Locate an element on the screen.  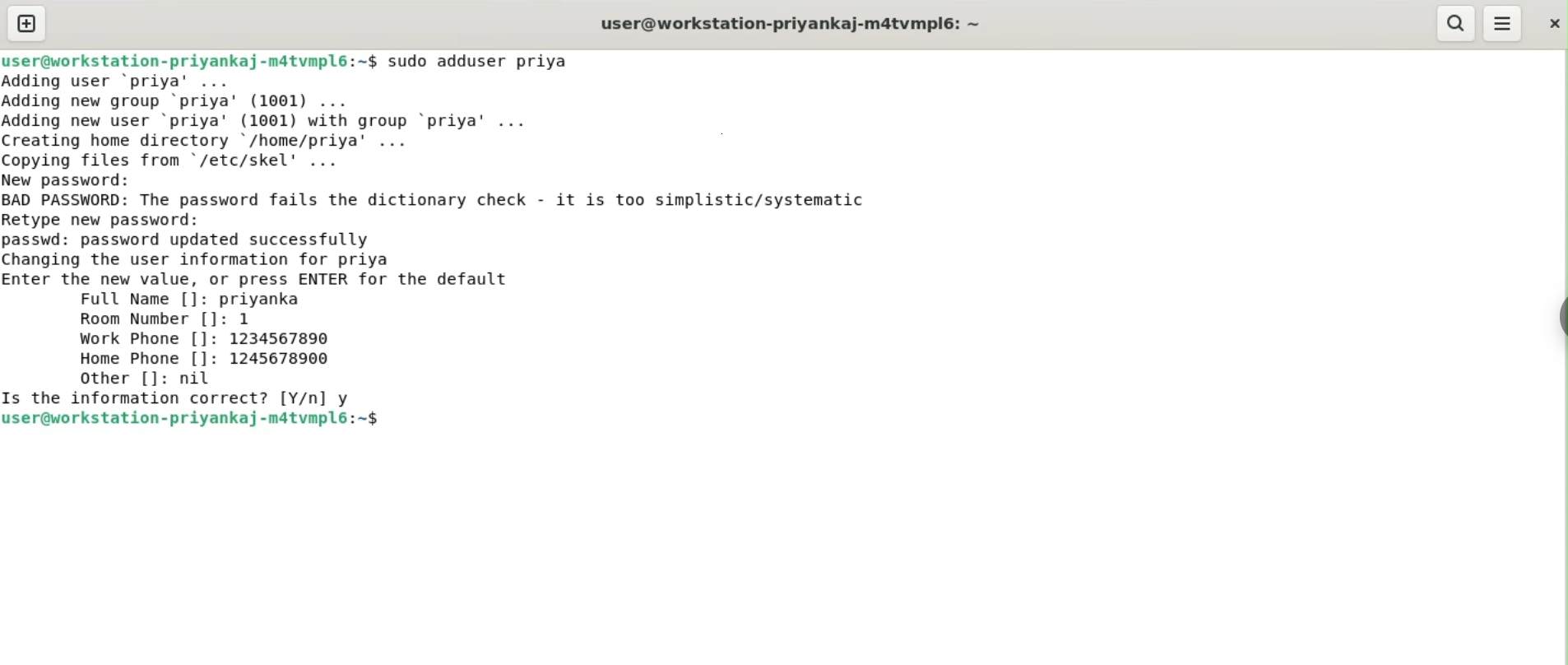
sudo adduser priya is located at coordinates (480, 61).